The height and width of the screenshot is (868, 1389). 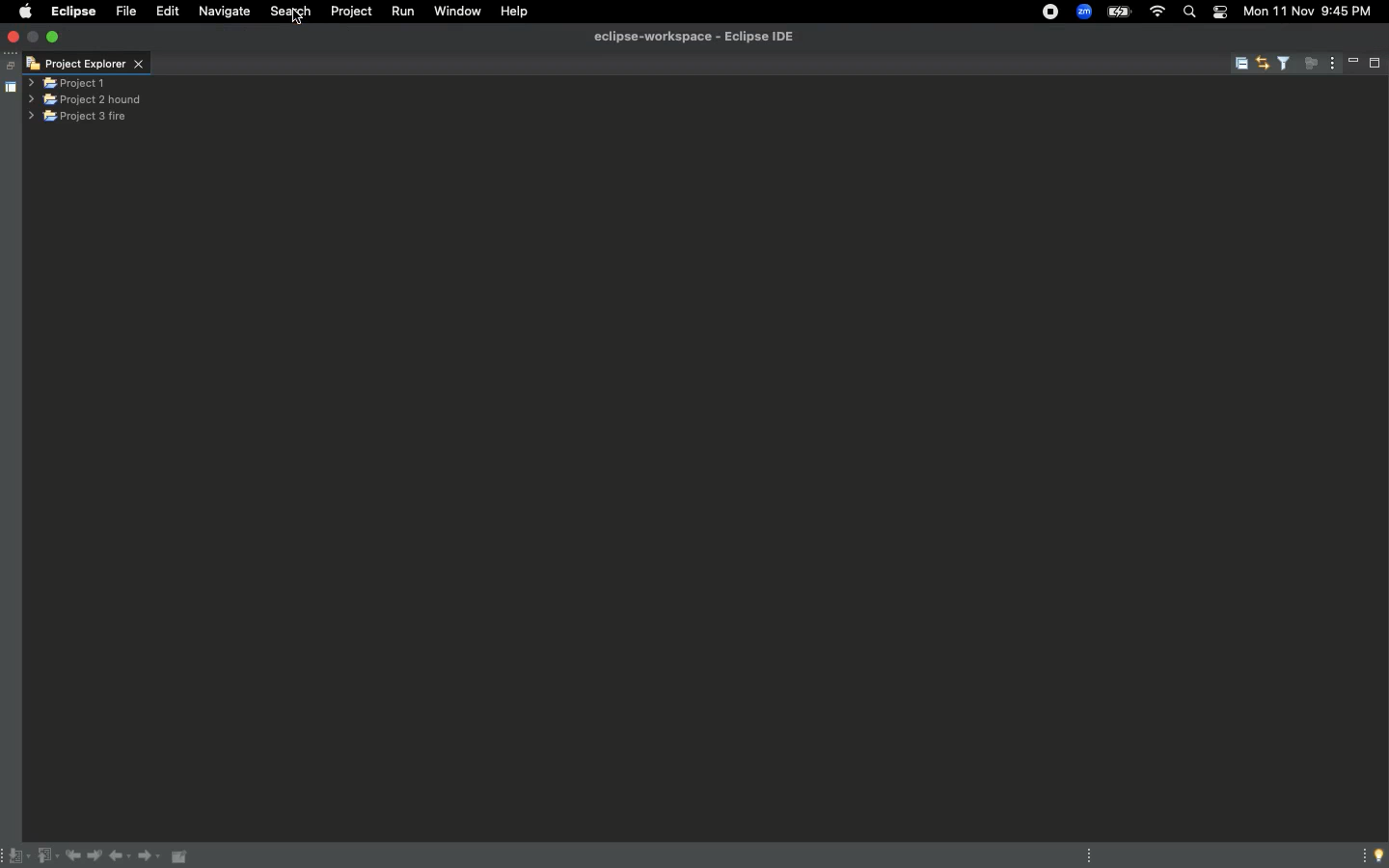 What do you see at coordinates (1375, 64) in the screenshot?
I see `Maximize` at bounding box center [1375, 64].